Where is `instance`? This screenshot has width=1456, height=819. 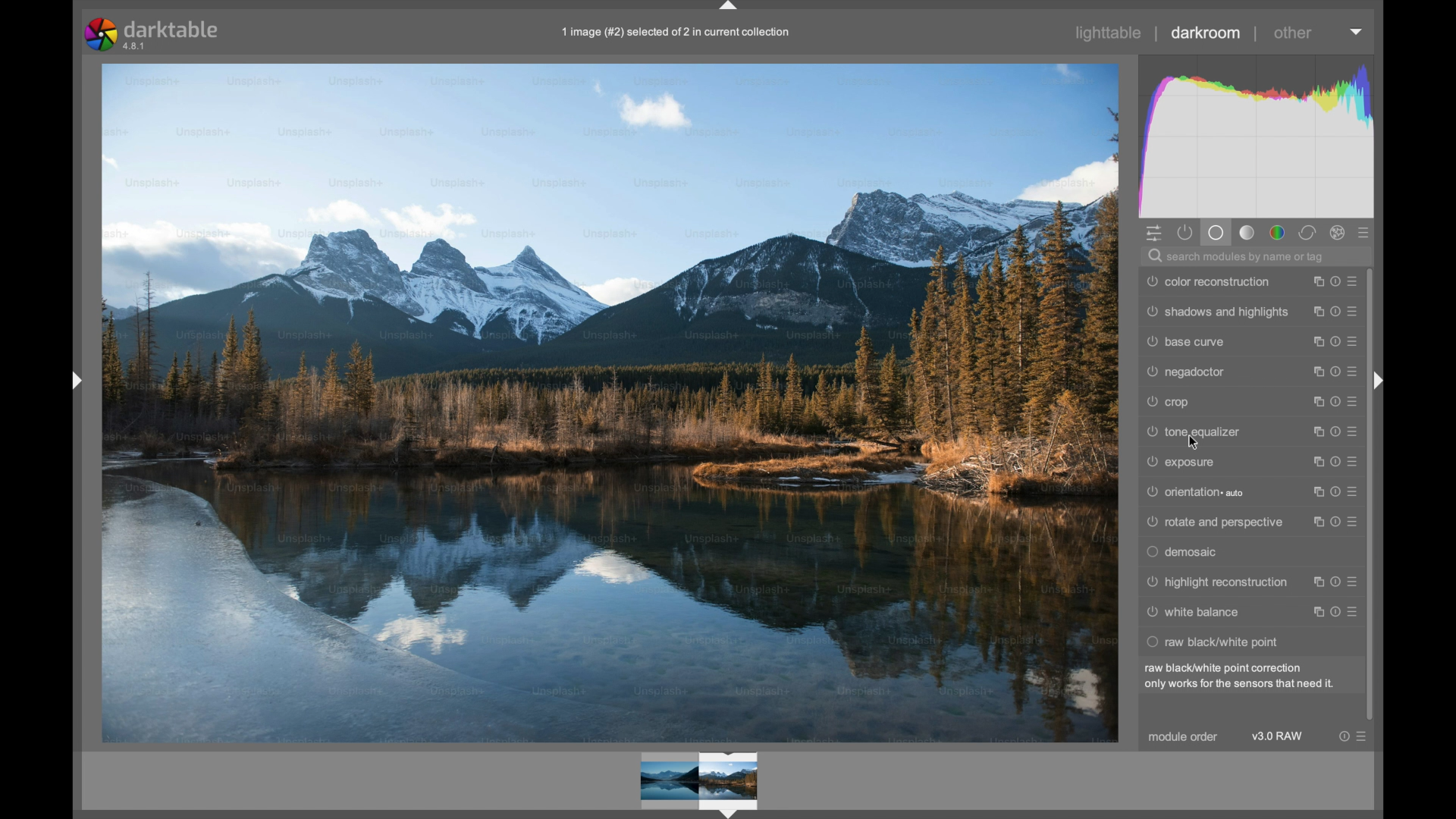 instance is located at coordinates (1316, 312).